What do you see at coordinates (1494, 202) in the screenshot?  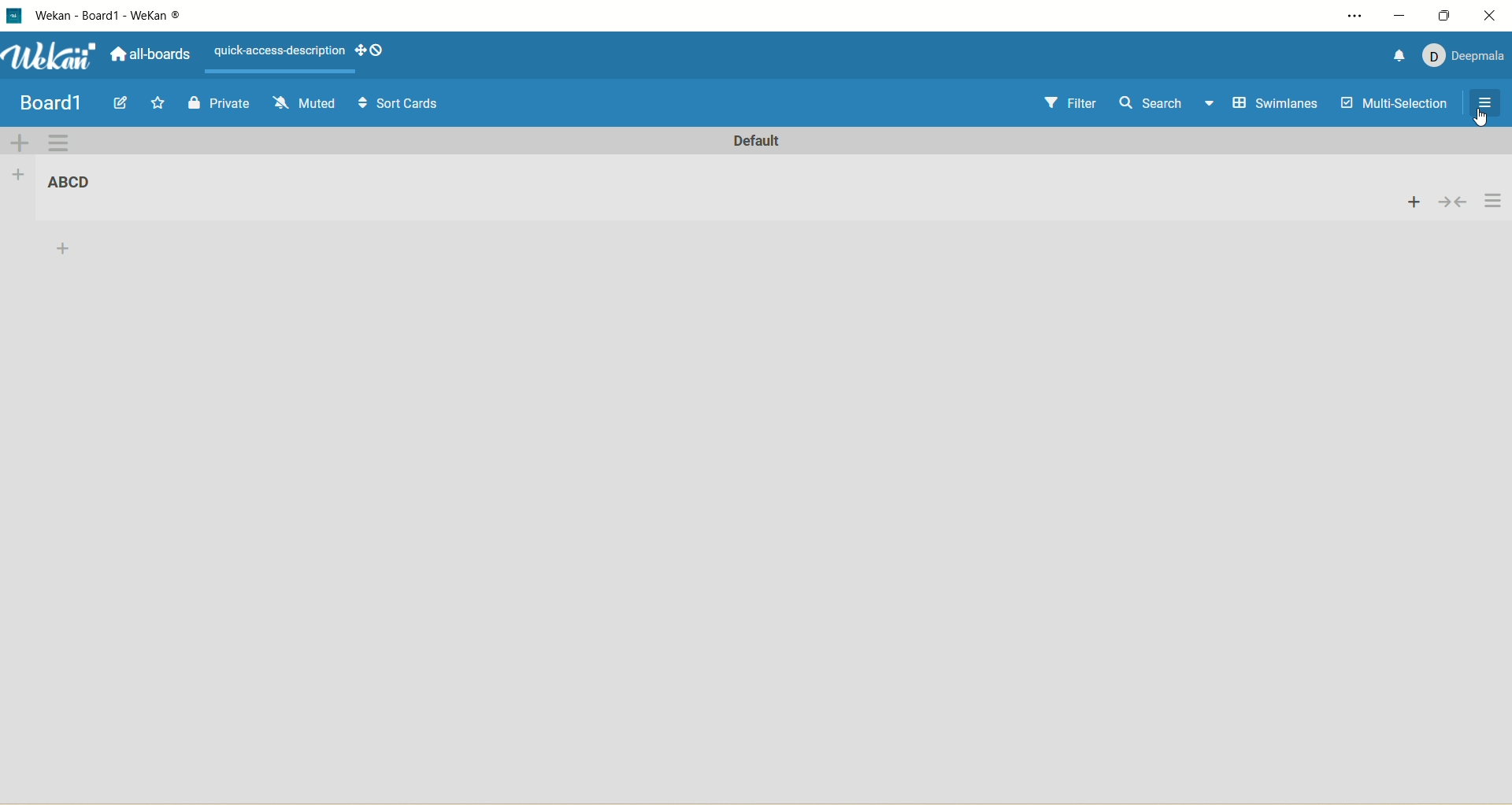 I see `actions` at bounding box center [1494, 202].